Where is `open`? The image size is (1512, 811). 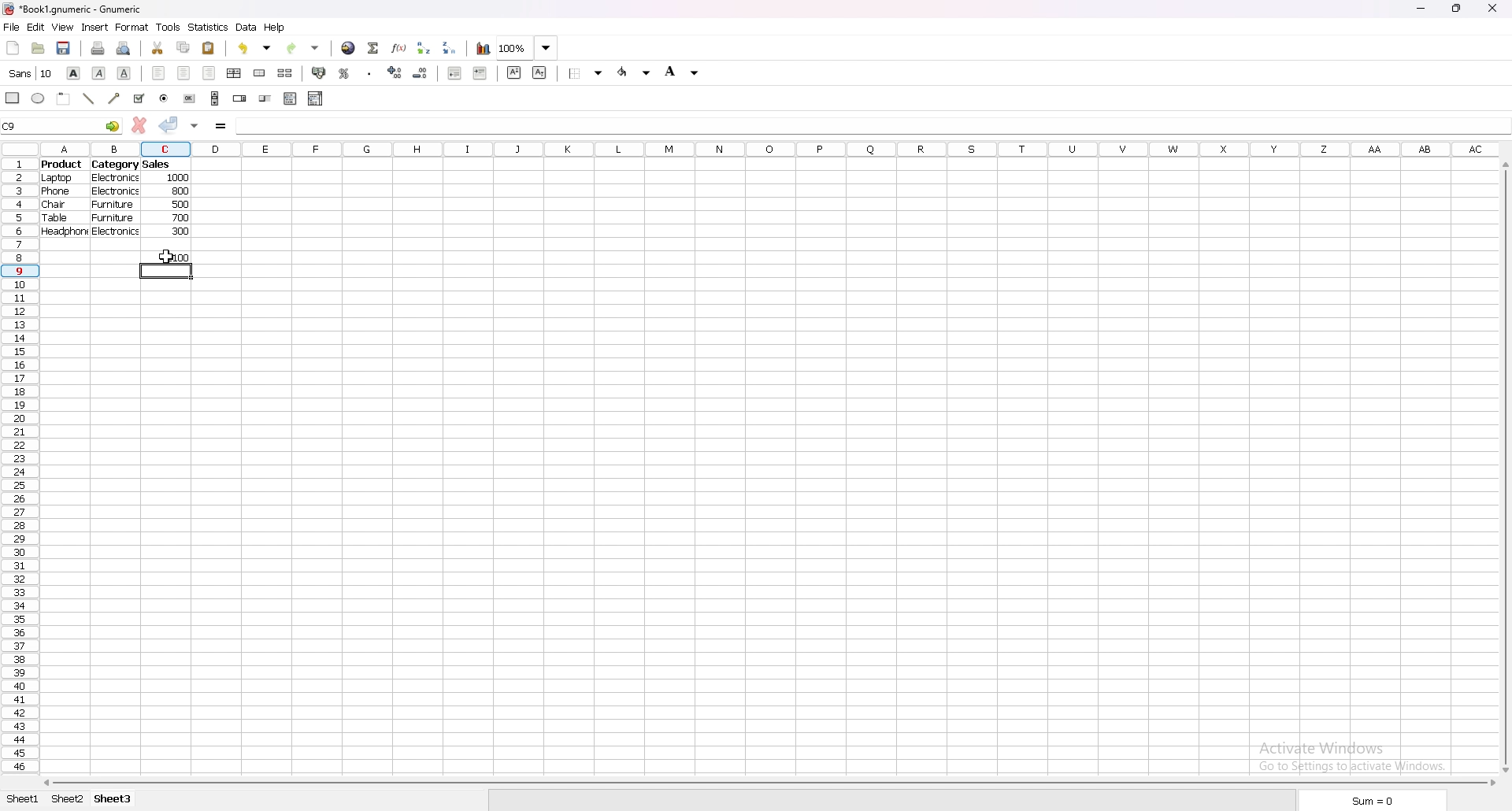 open is located at coordinates (39, 46).